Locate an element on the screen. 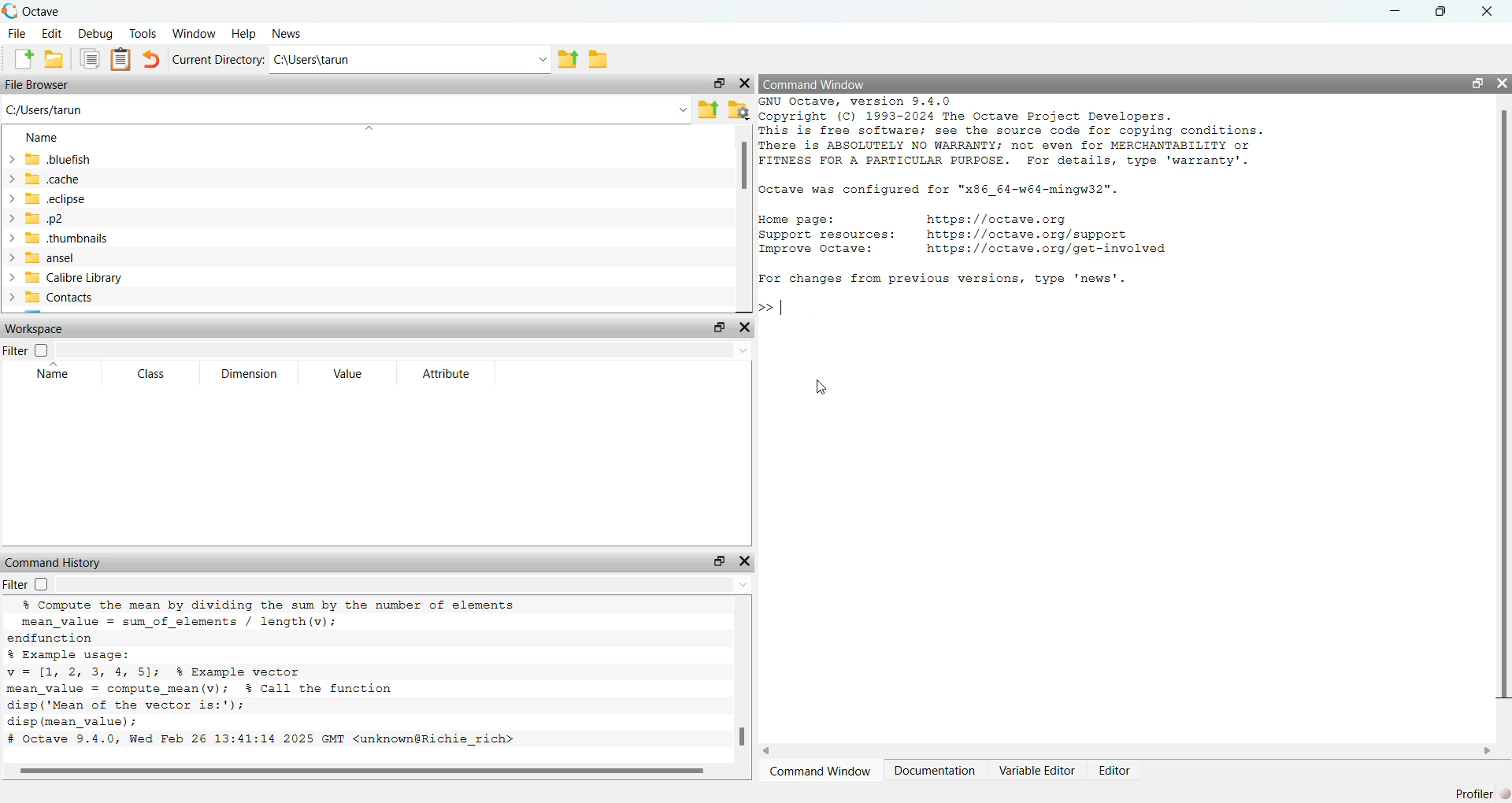  Octave was configured for "x86_64-w64-mingw32". is located at coordinates (940, 191).